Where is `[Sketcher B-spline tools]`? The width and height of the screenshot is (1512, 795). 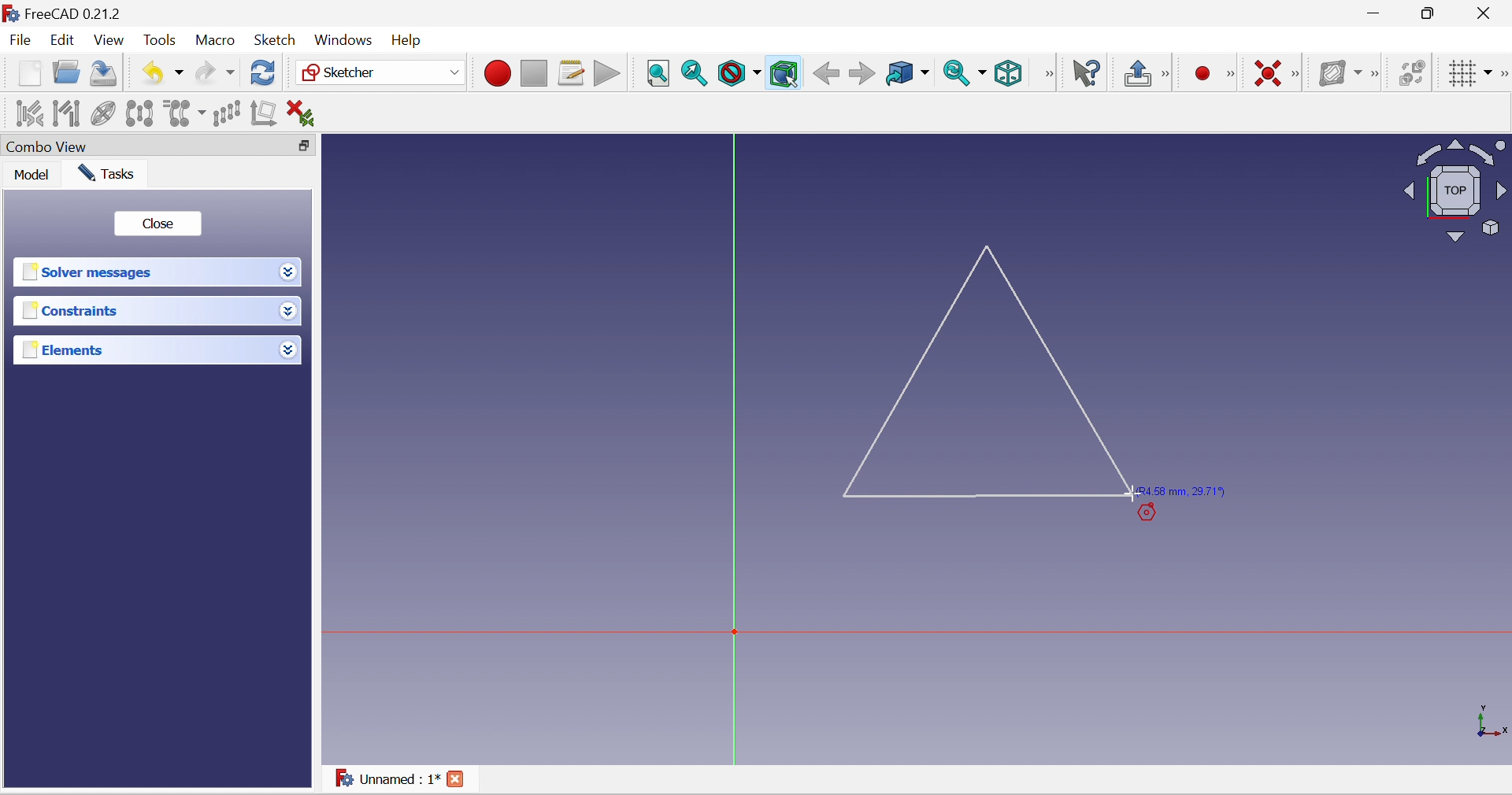
[Sketcher B-spline tools] is located at coordinates (1378, 74).